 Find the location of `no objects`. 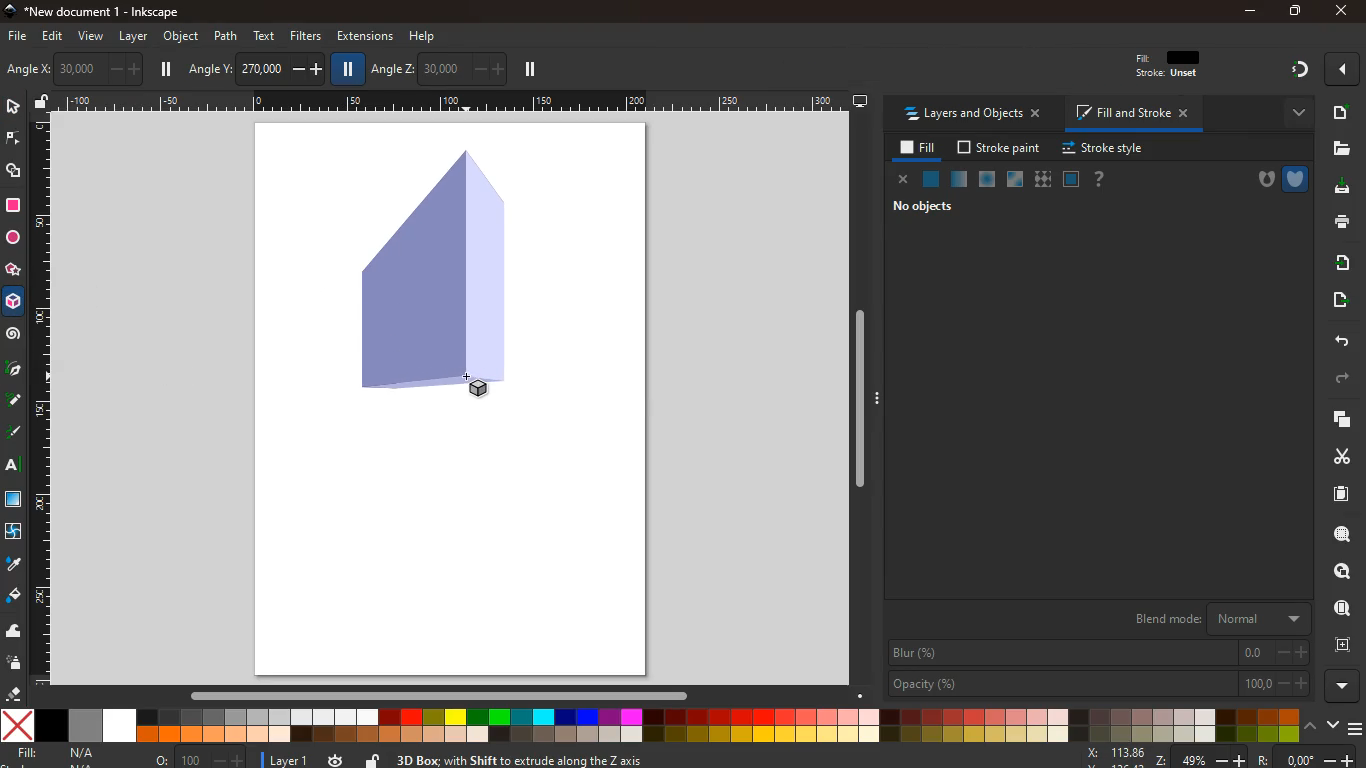

no objects is located at coordinates (925, 209).